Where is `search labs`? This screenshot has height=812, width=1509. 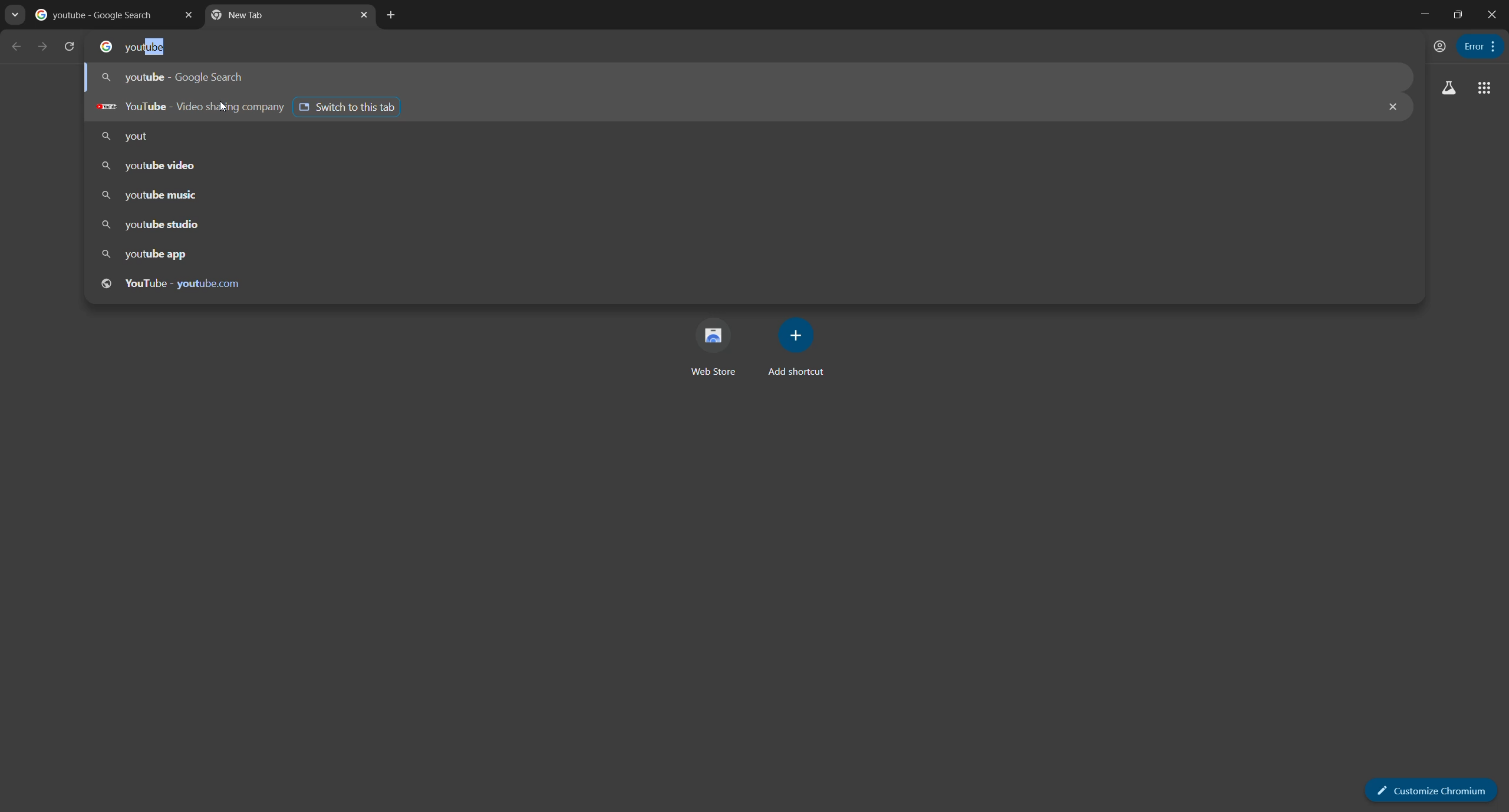
search labs is located at coordinates (1448, 89).